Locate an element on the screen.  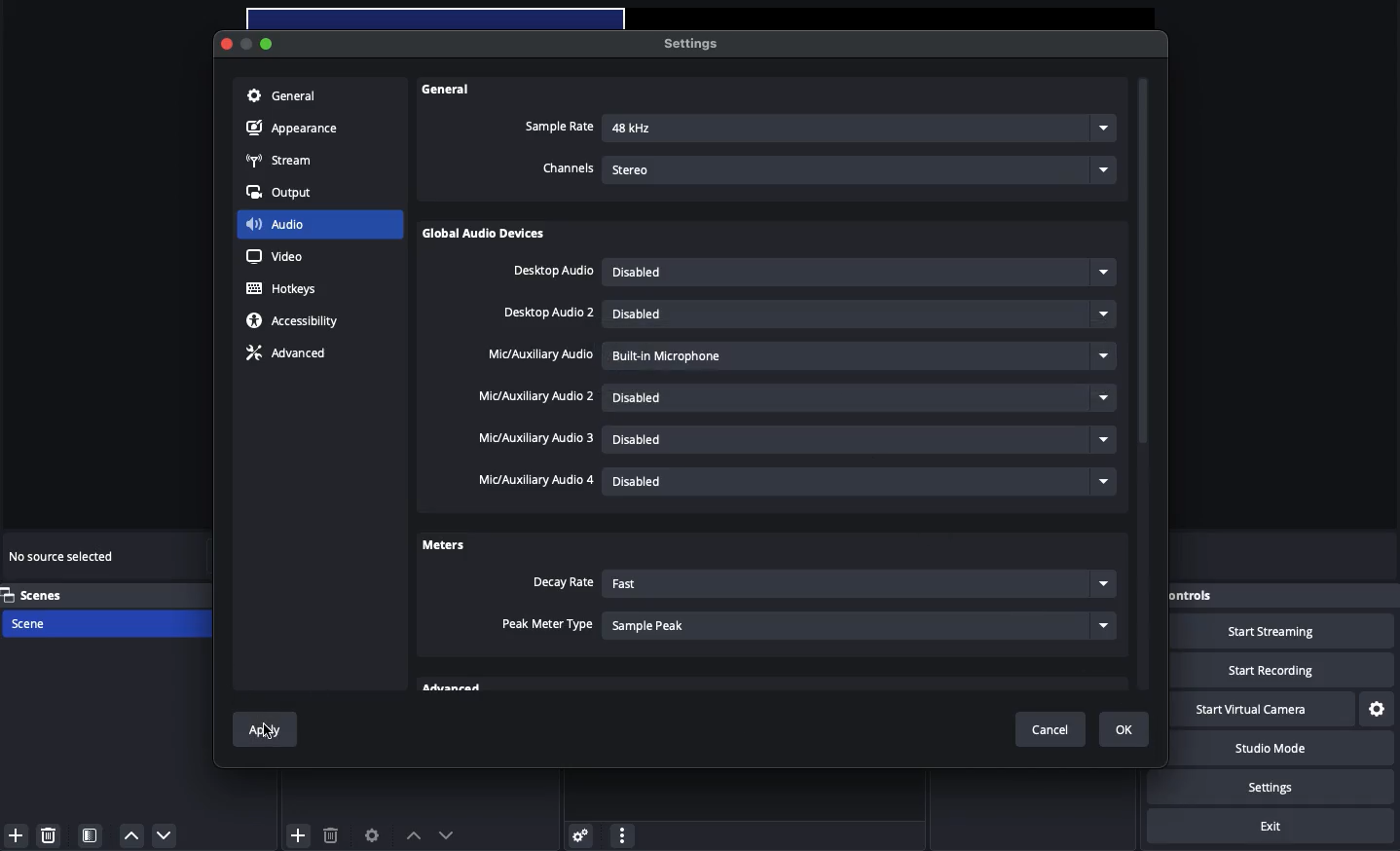
Desktop audio 2 is located at coordinates (550, 314).